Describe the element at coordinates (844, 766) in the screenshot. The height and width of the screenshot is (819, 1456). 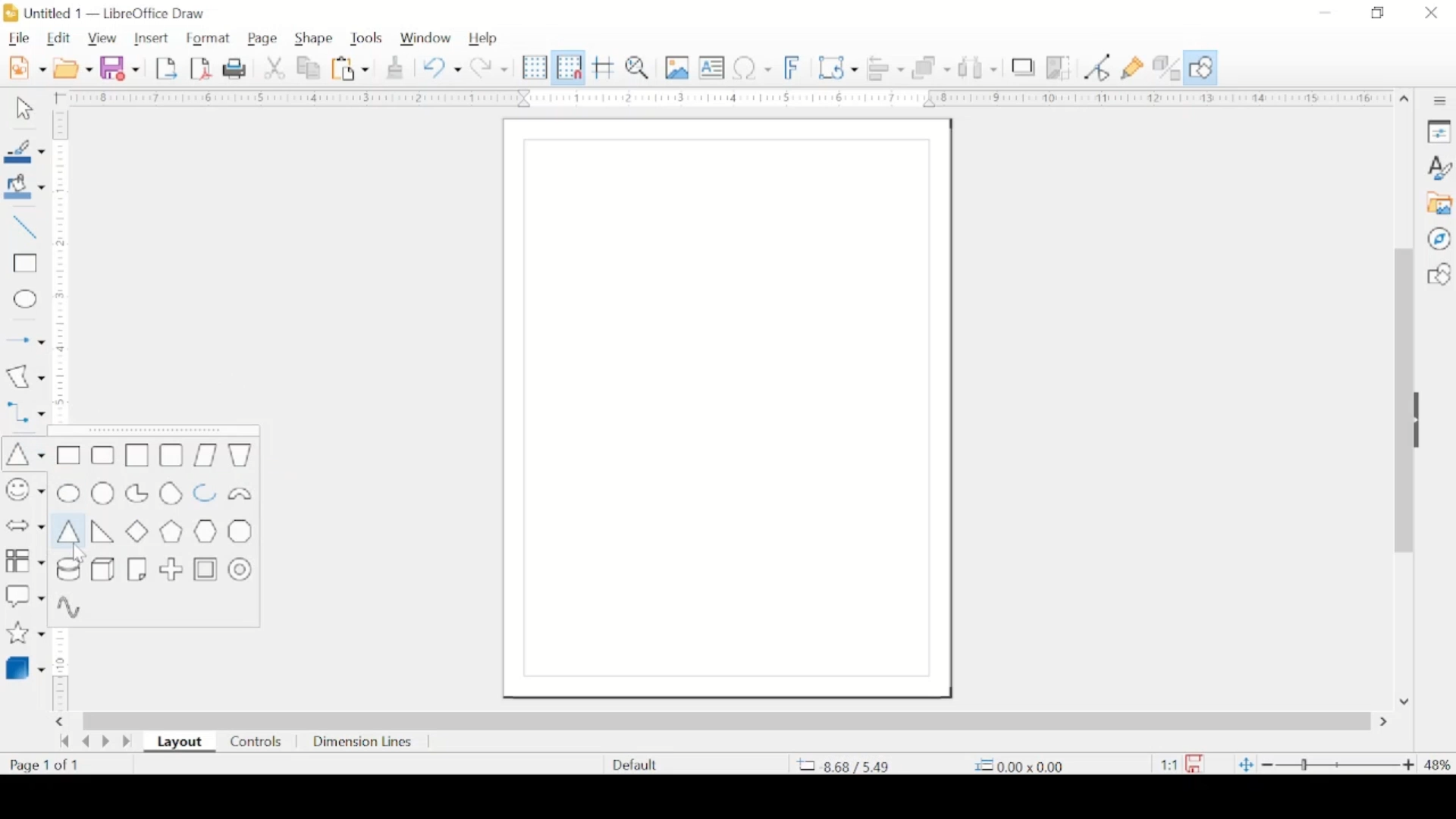
I see `coordinate` at that location.